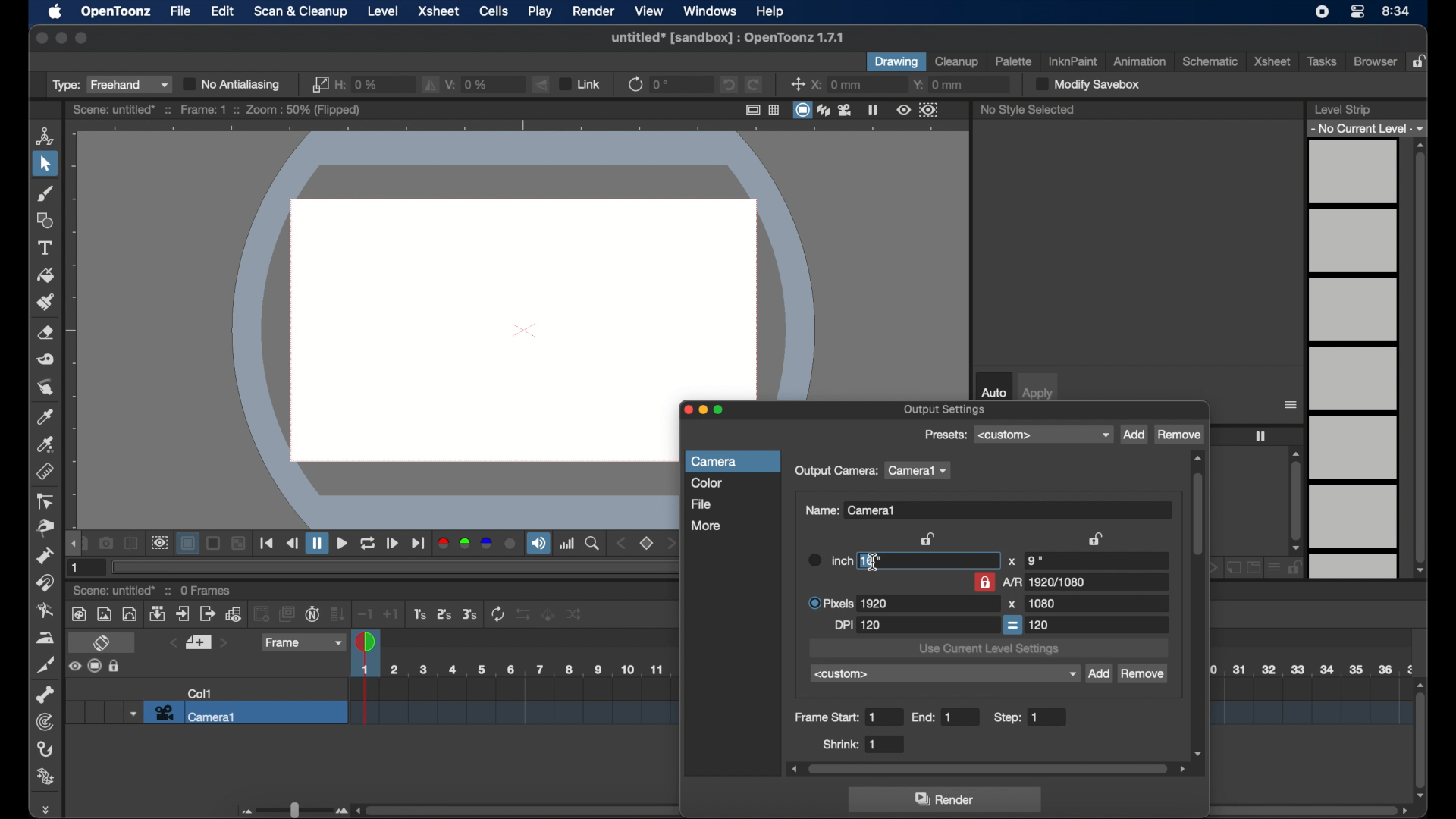 This screenshot has height=819, width=1456. I want to click on add, so click(1098, 674).